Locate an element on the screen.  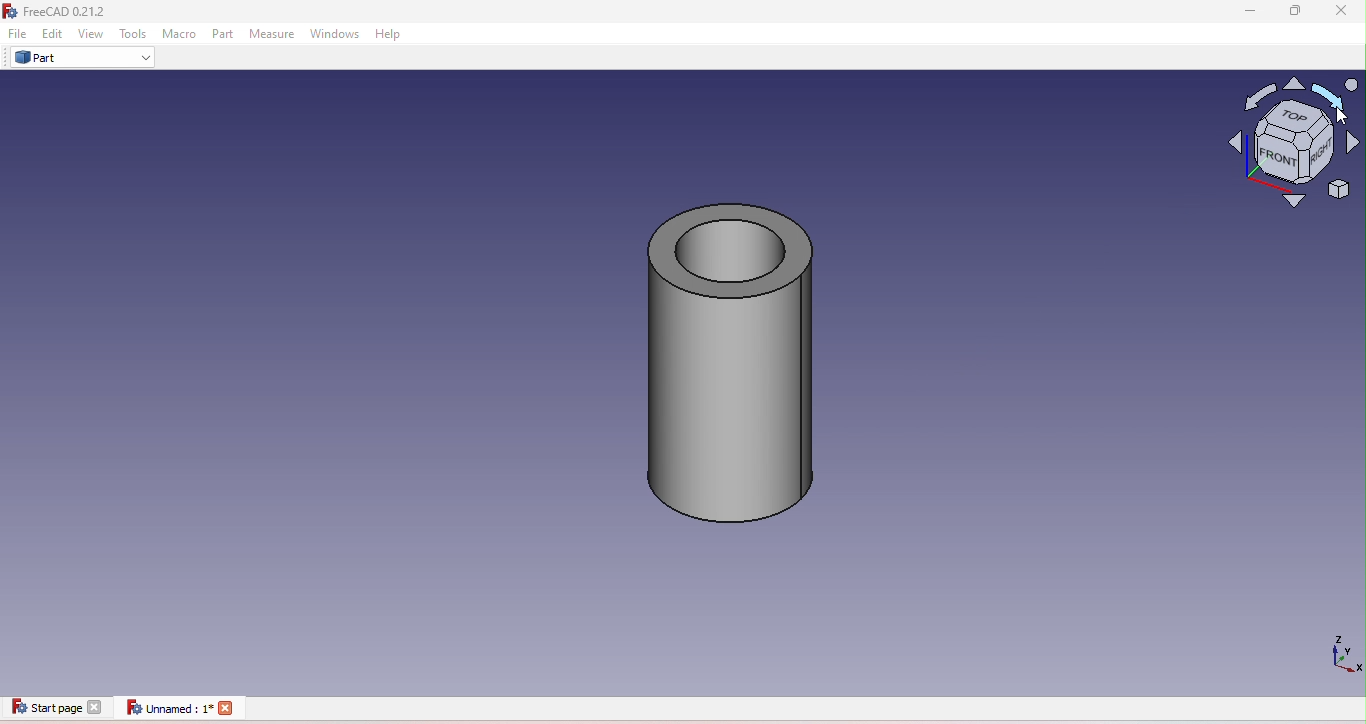
FreeCAD icon is located at coordinates (64, 12).